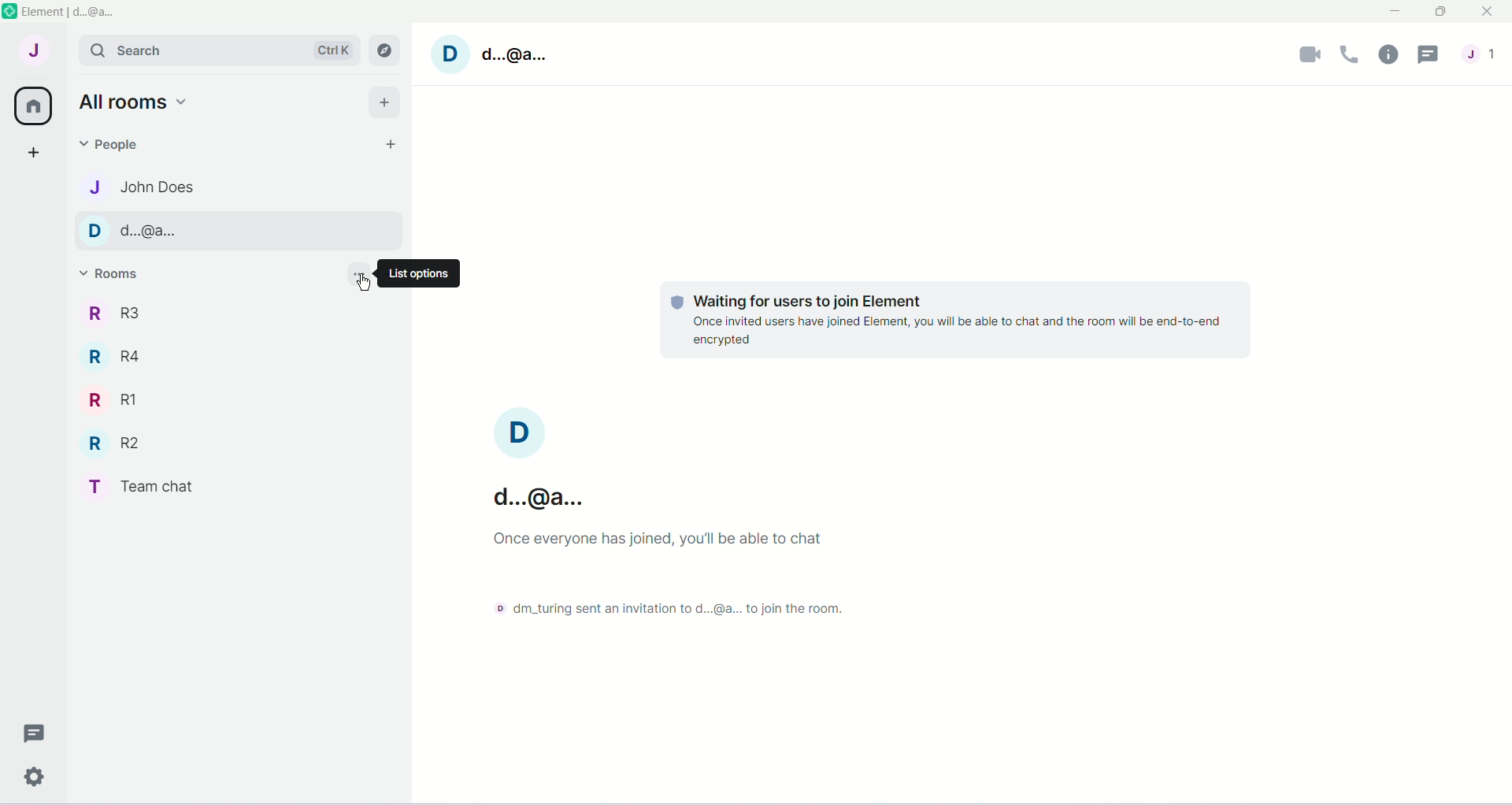 This screenshot has height=805, width=1512. I want to click on tracking logo, so click(674, 302).